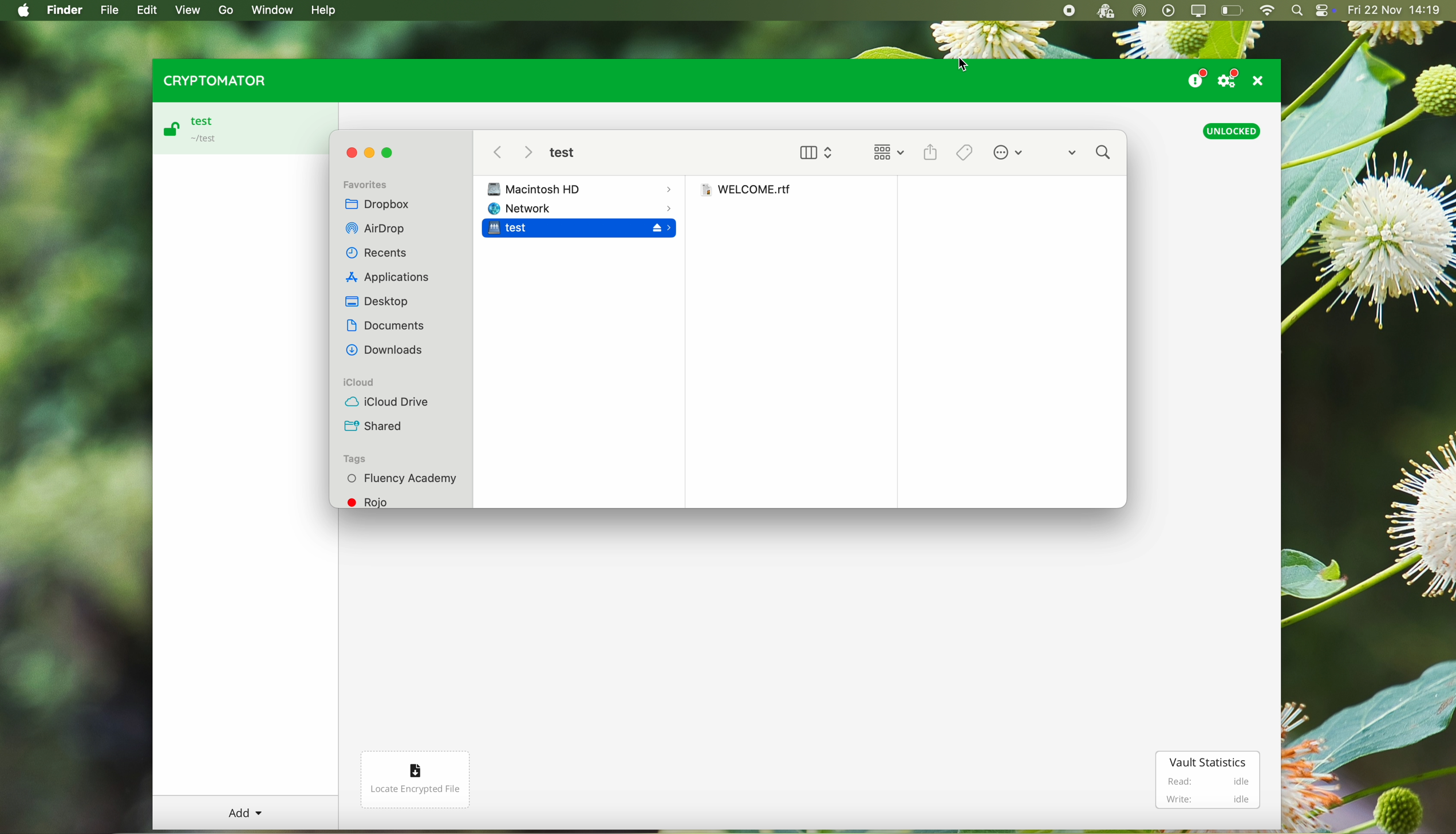 The width and height of the screenshot is (1456, 834). Describe the element at coordinates (933, 152) in the screenshot. I see `share` at that location.